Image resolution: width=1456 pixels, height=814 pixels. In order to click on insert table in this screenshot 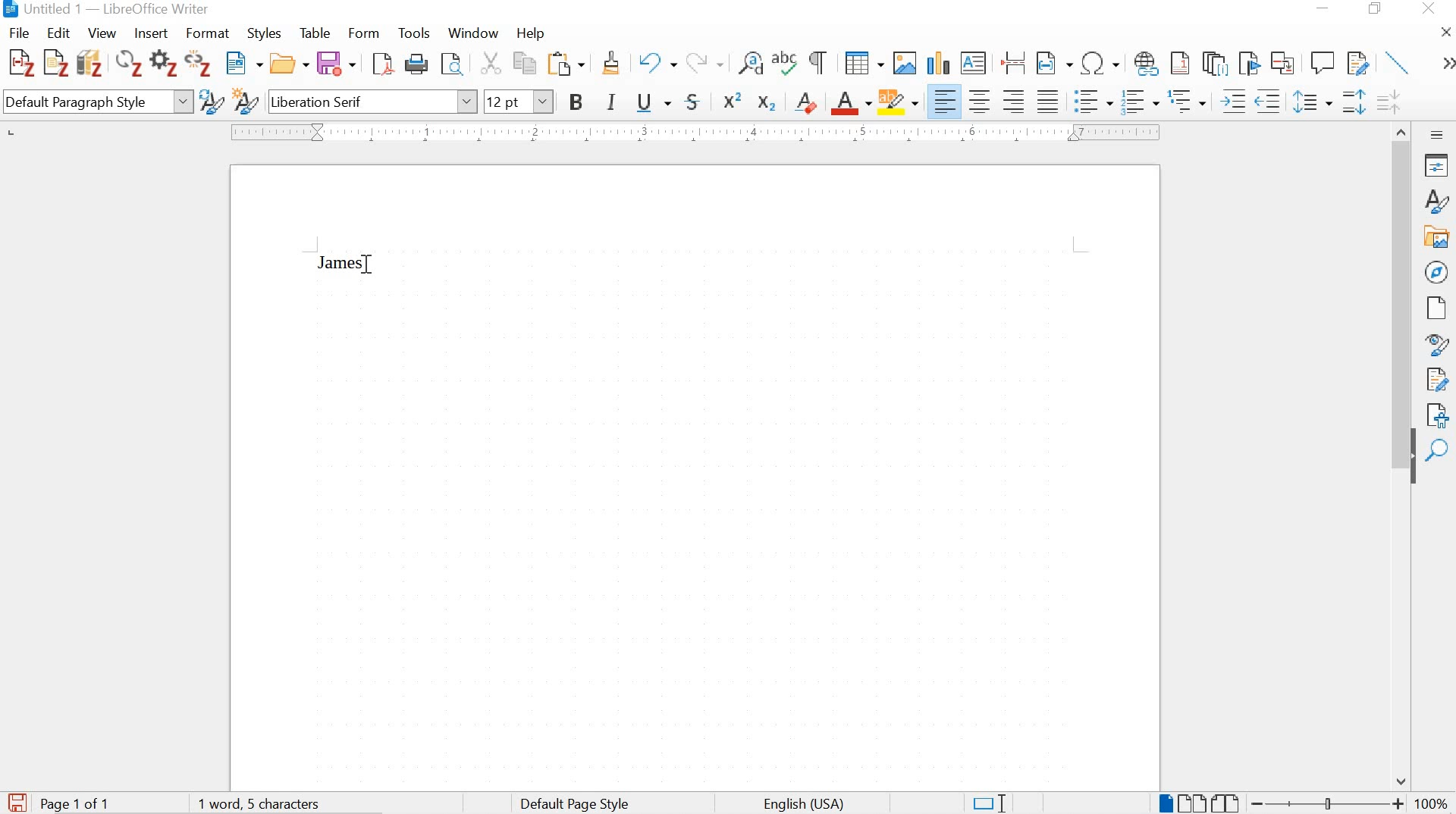, I will do `click(864, 64)`.